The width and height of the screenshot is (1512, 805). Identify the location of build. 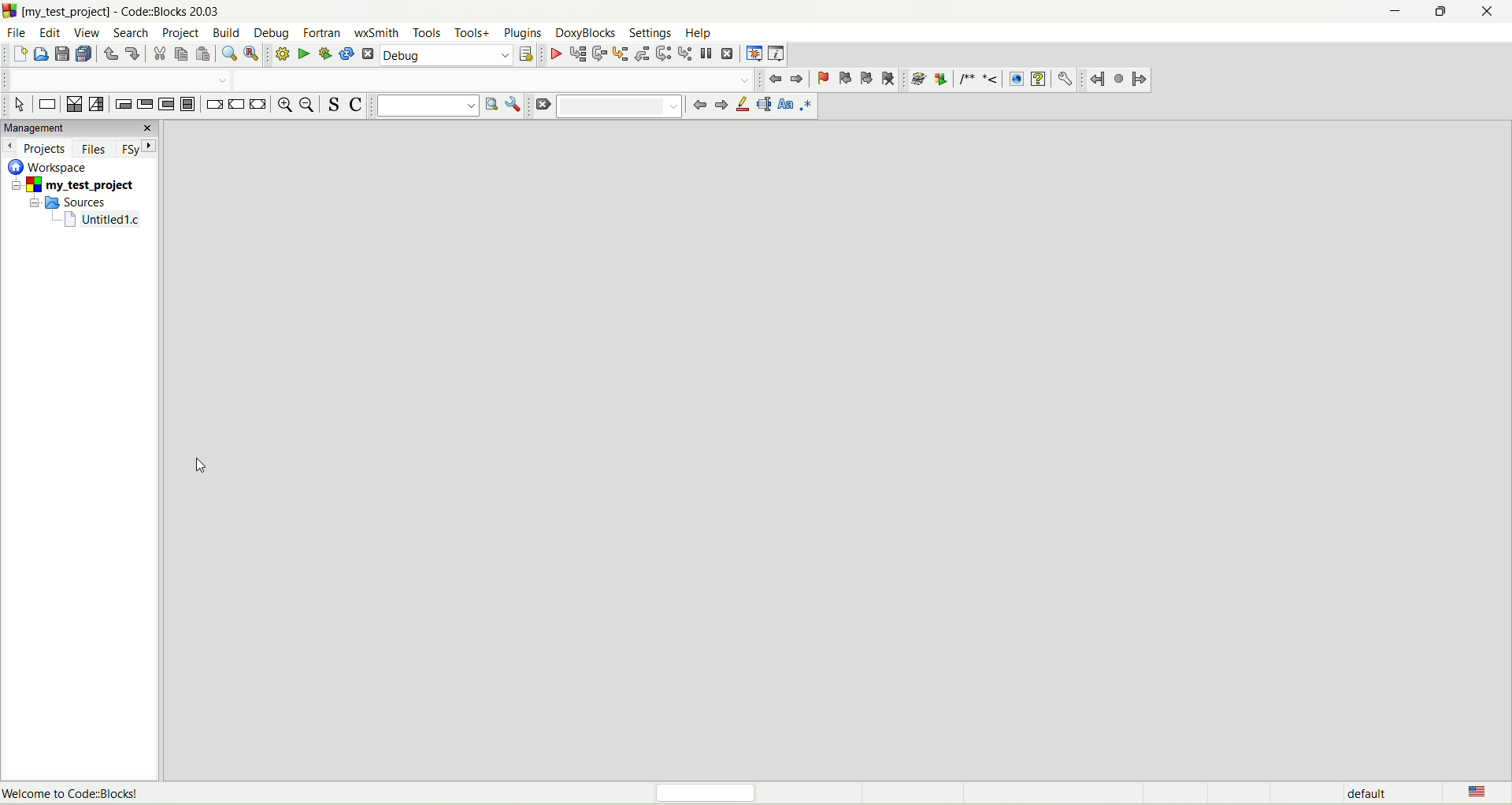
(228, 32).